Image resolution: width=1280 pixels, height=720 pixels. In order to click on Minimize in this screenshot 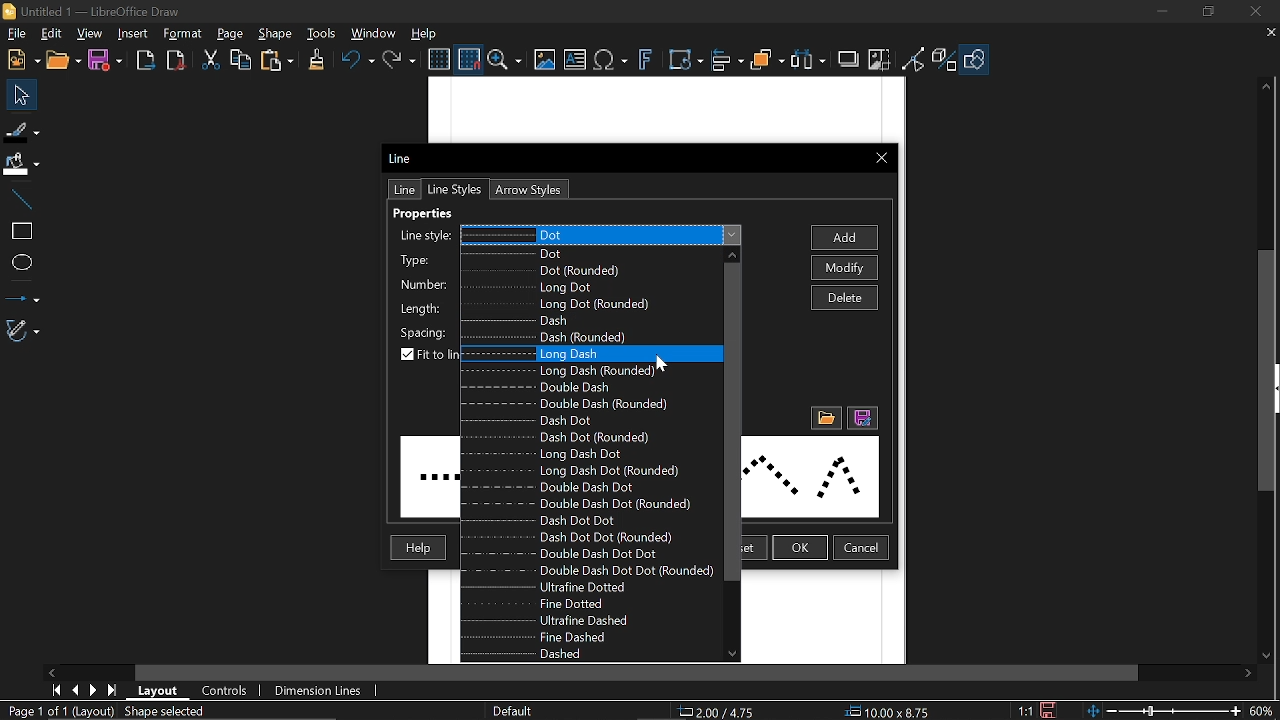, I will do `click(1164, 12)`.